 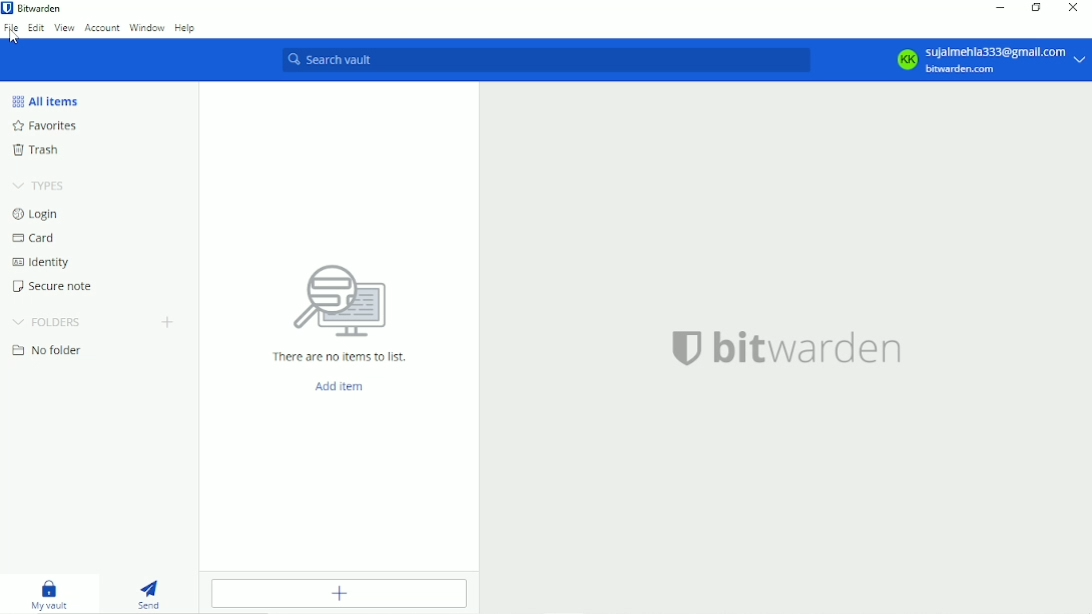 I want to click on View, so click(x=63, y=27).